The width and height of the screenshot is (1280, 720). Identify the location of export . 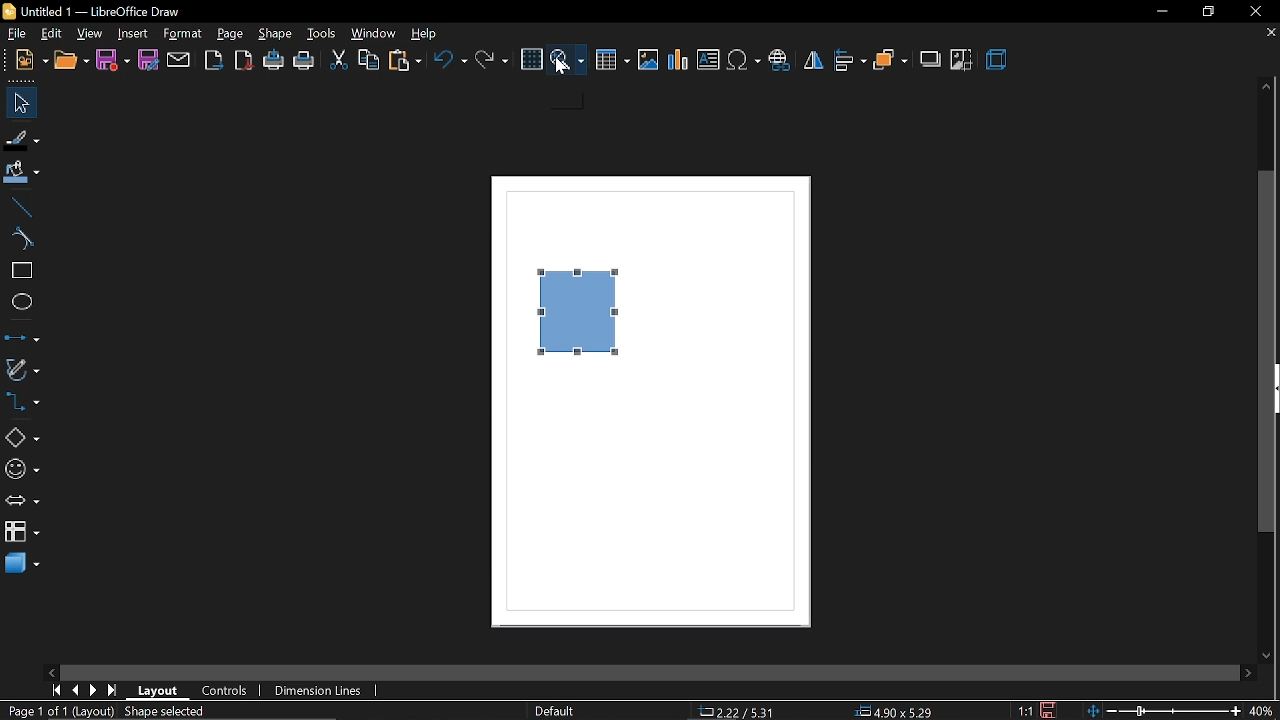
(214, 61).